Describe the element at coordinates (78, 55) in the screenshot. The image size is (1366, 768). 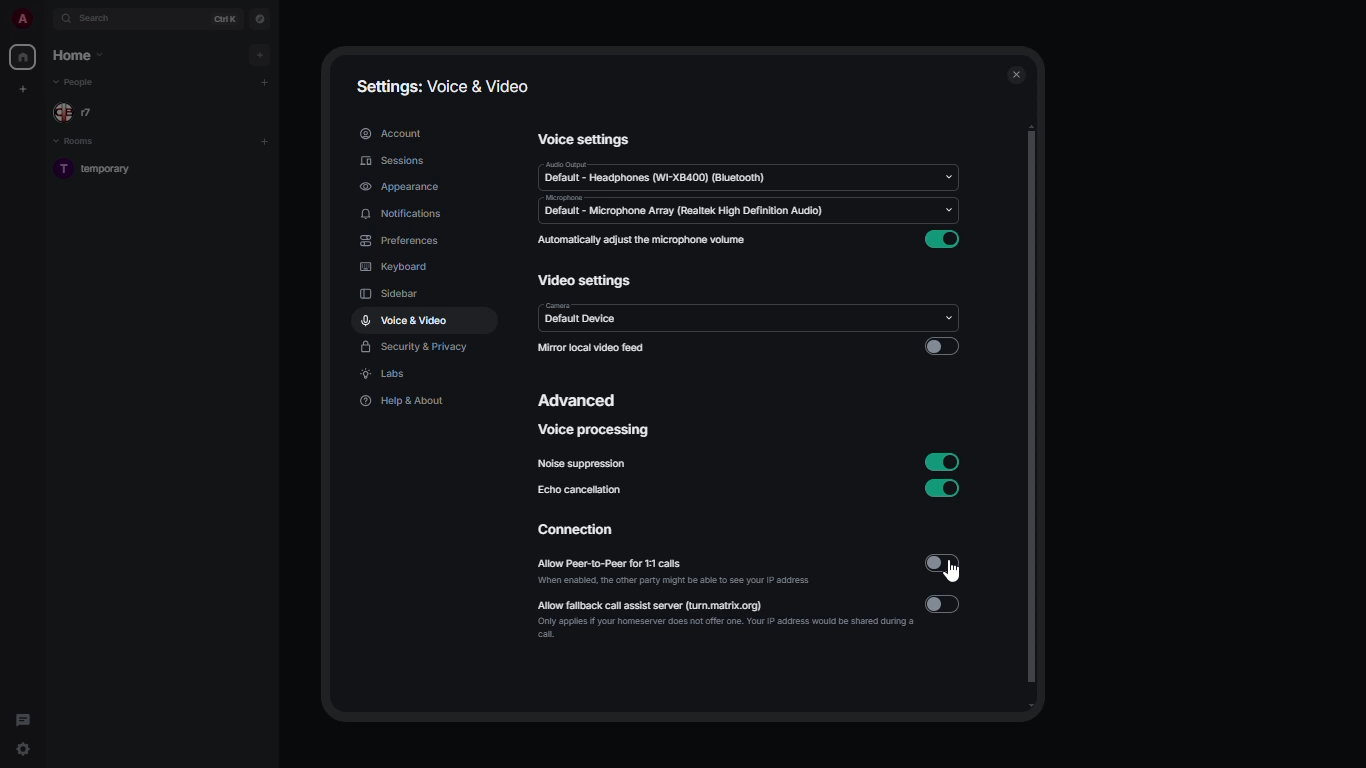
I see `home` at that location.